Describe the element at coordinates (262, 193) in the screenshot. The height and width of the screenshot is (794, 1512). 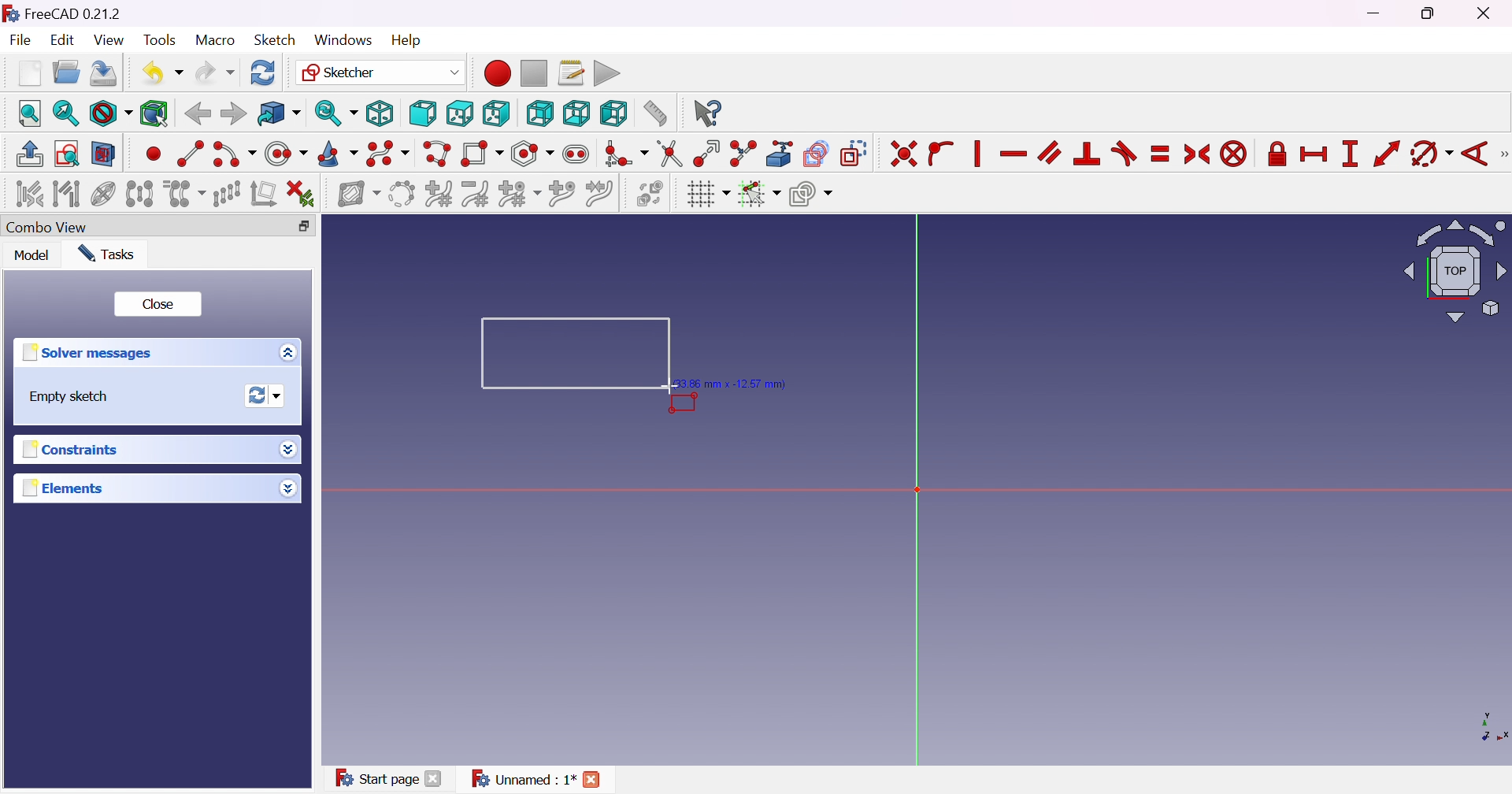
I see `Remove axis alignment` at that location.